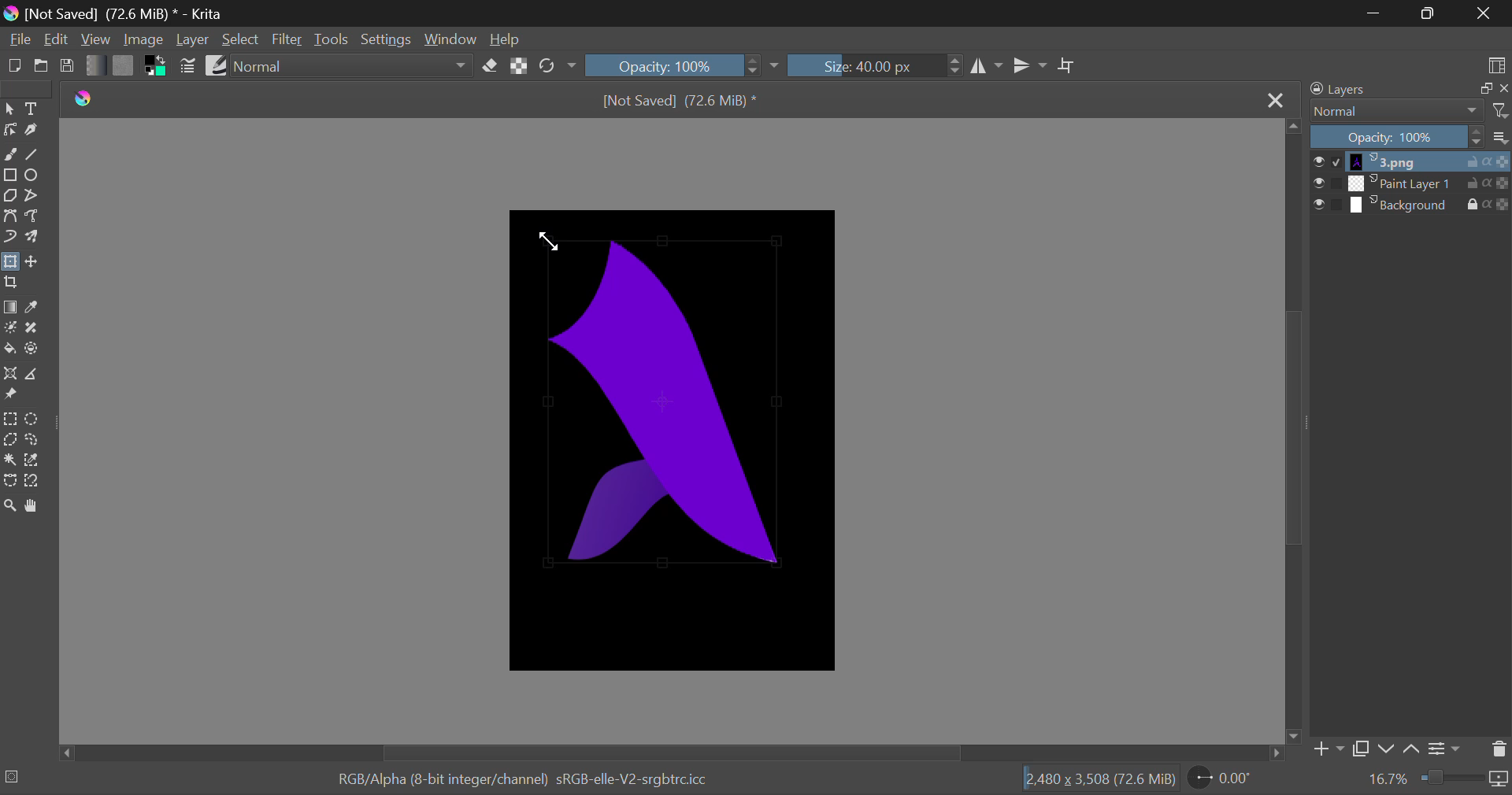 The width and height of the screenshot is (1512, 795). I want to click on Settings, so click(1445, 749).